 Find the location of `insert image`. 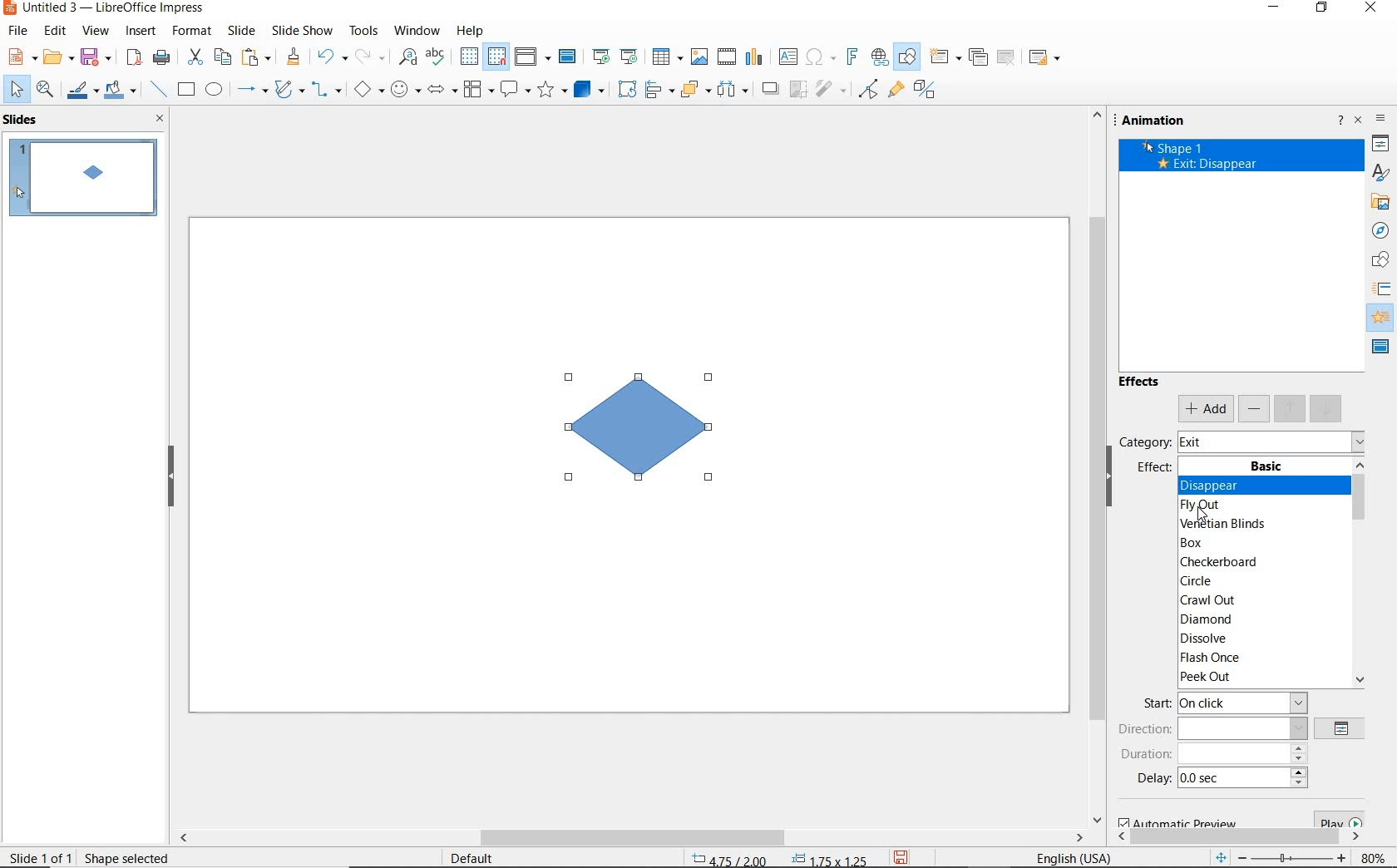

insert image is located at coordinates (702, 57).